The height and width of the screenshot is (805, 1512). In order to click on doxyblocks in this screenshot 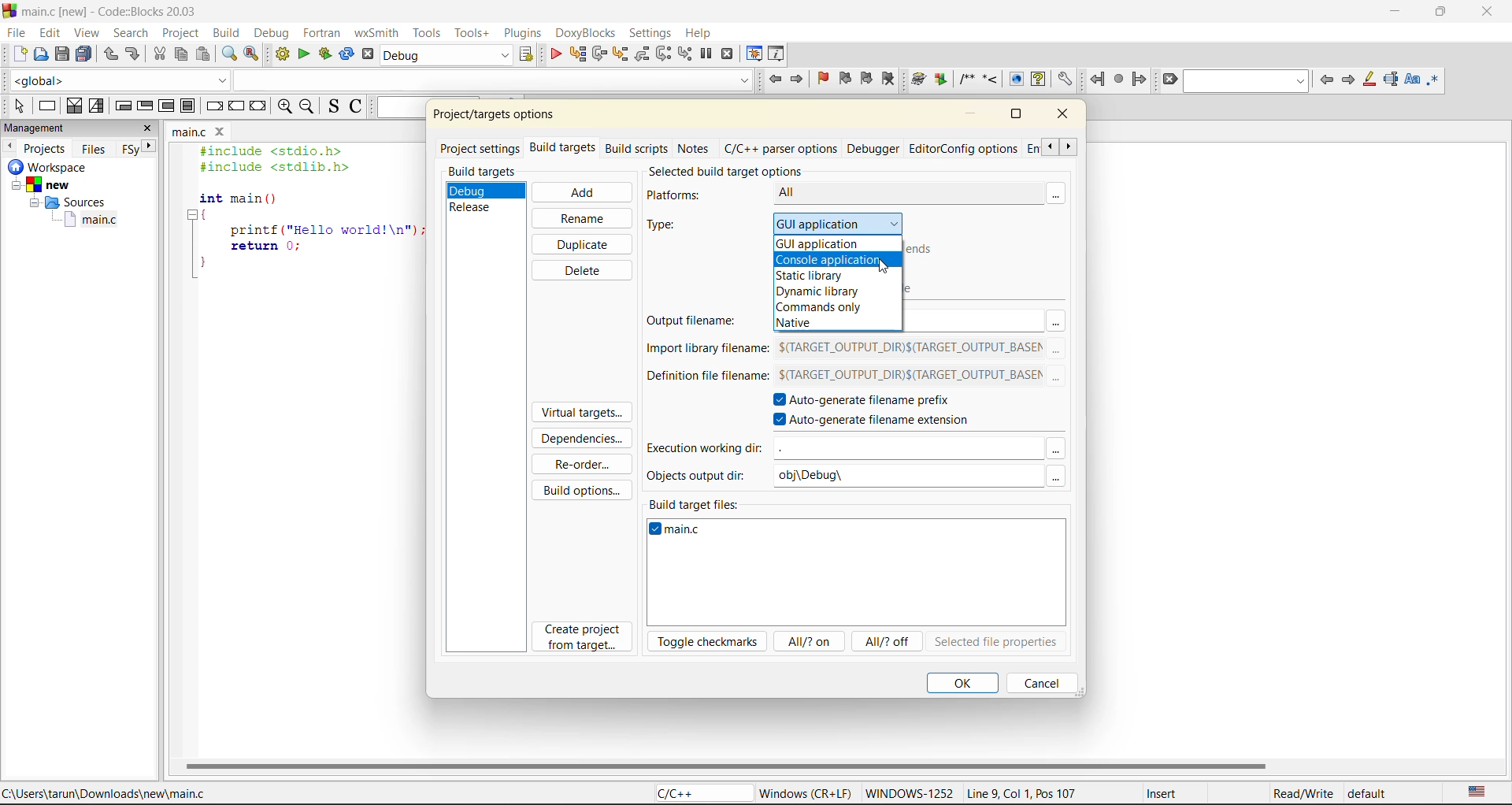, I will do `click(584, 33)`.